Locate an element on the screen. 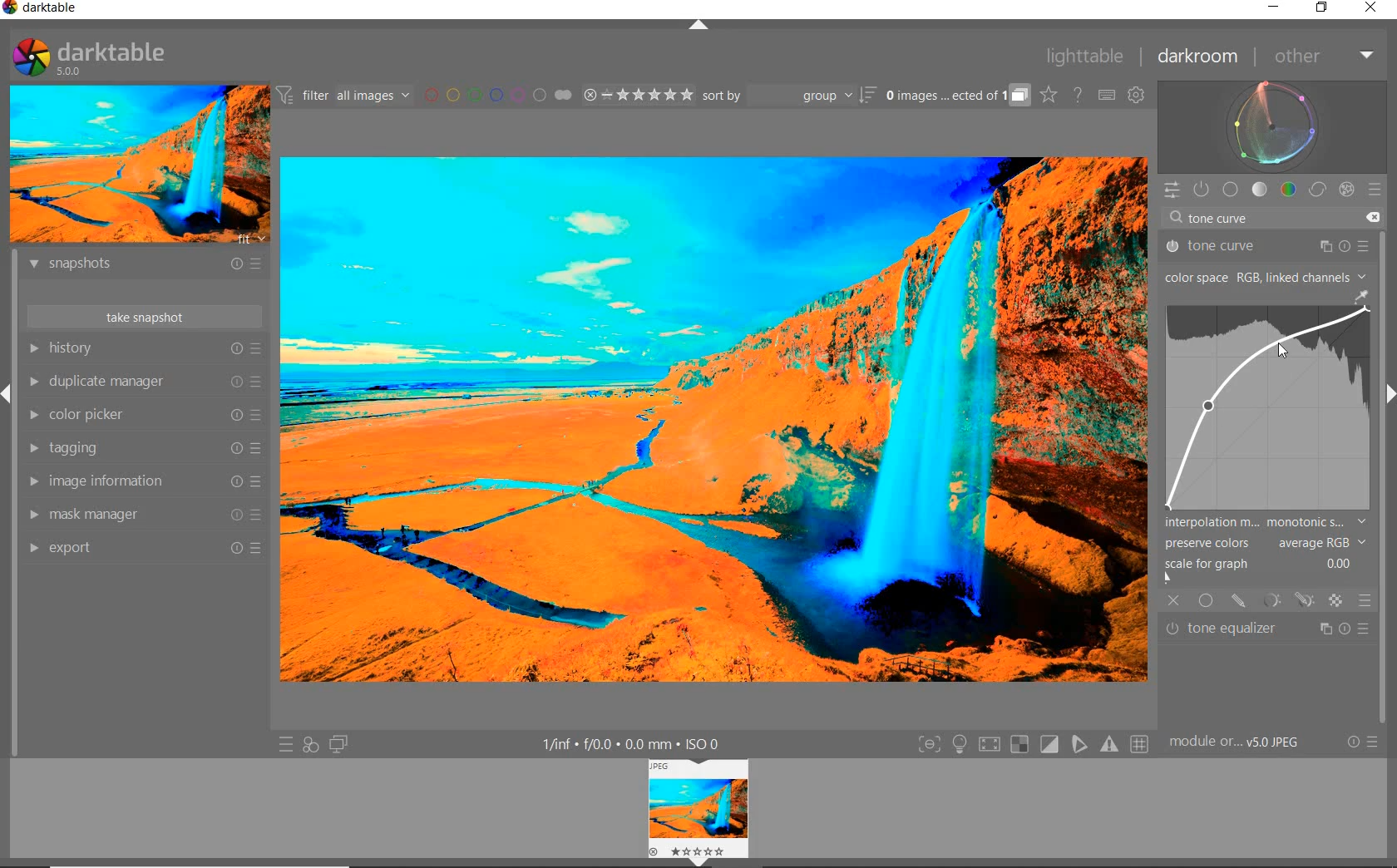 The width and height of the screenshot is (1397, 868). duplicate manager is located at coordinates (144, 381).